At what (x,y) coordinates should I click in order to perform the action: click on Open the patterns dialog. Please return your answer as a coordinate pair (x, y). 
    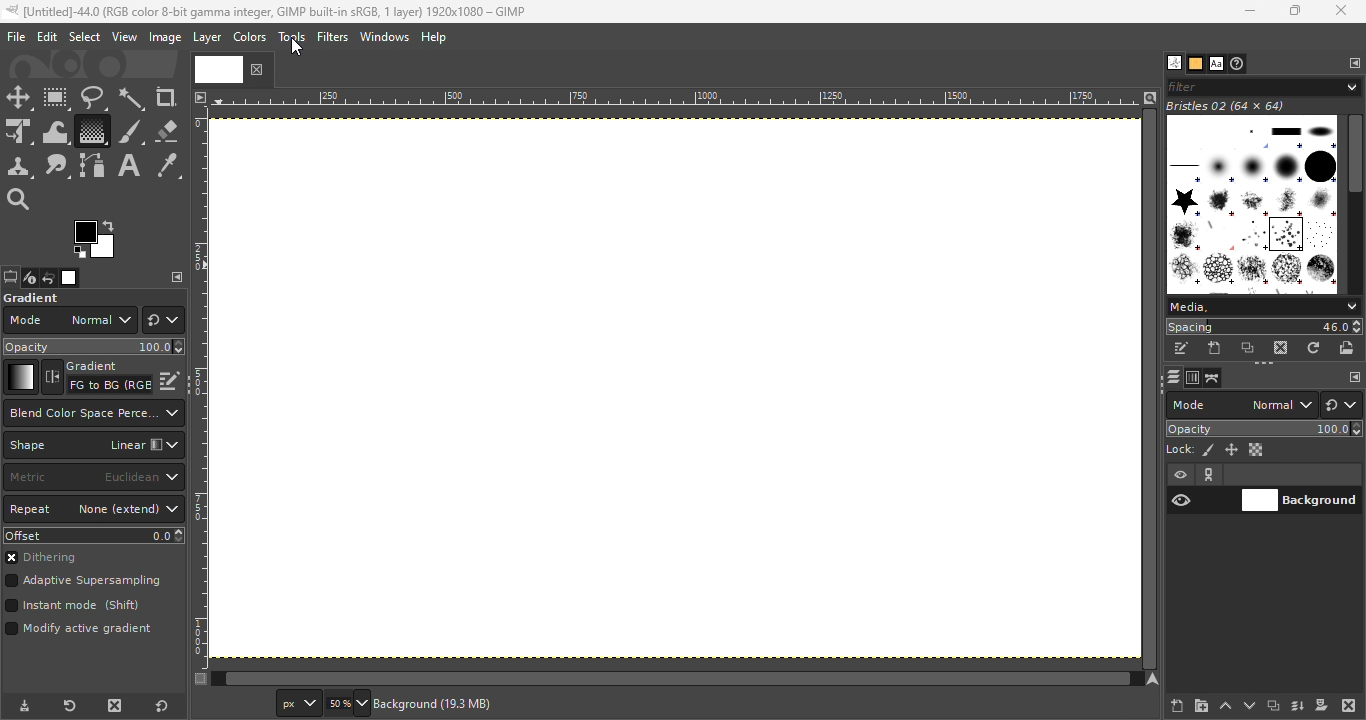
    Looking at the image, I should click on (1196, 64).